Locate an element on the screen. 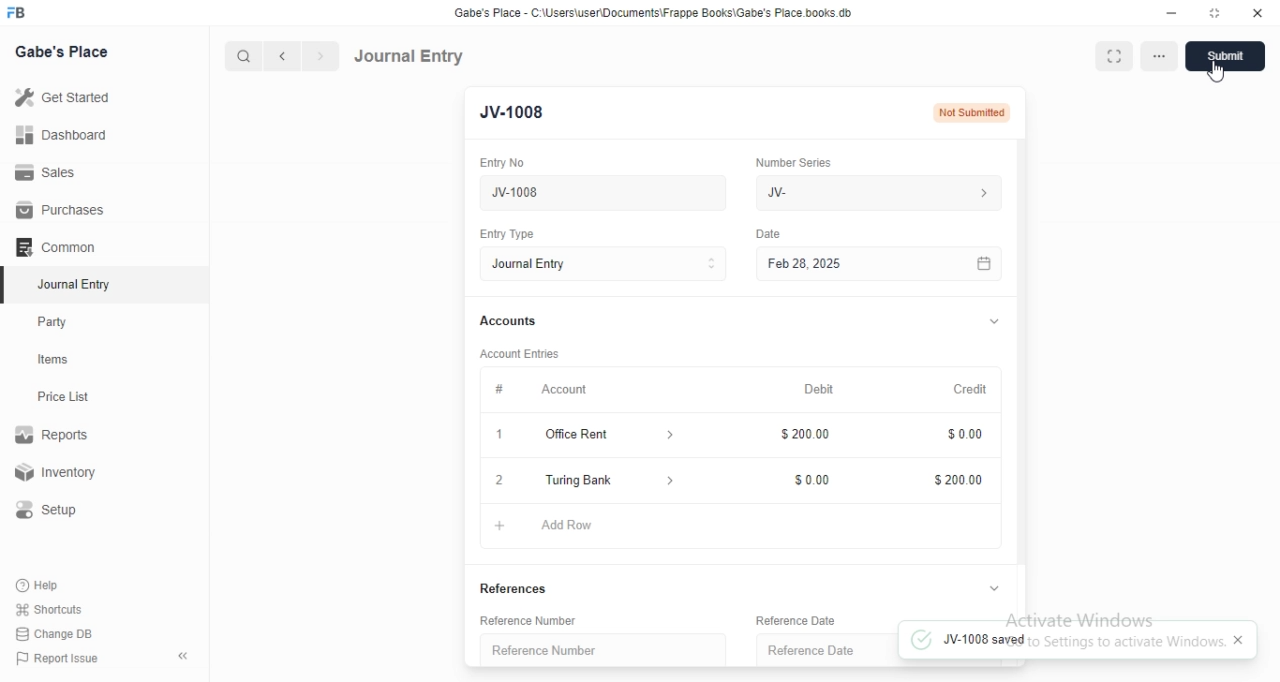  Jv-1008 is located at coordinates (554, 193).